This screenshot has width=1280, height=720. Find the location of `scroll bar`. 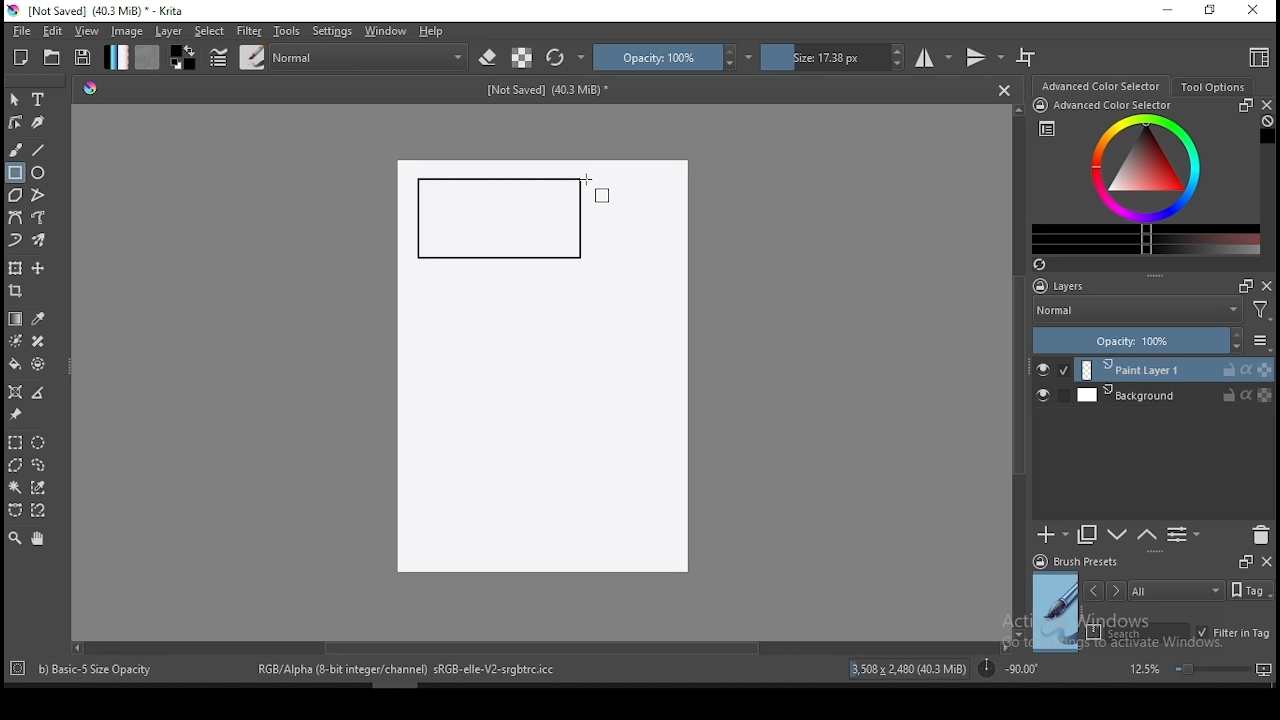

scroll bar is located at coordinates (1020, 370).